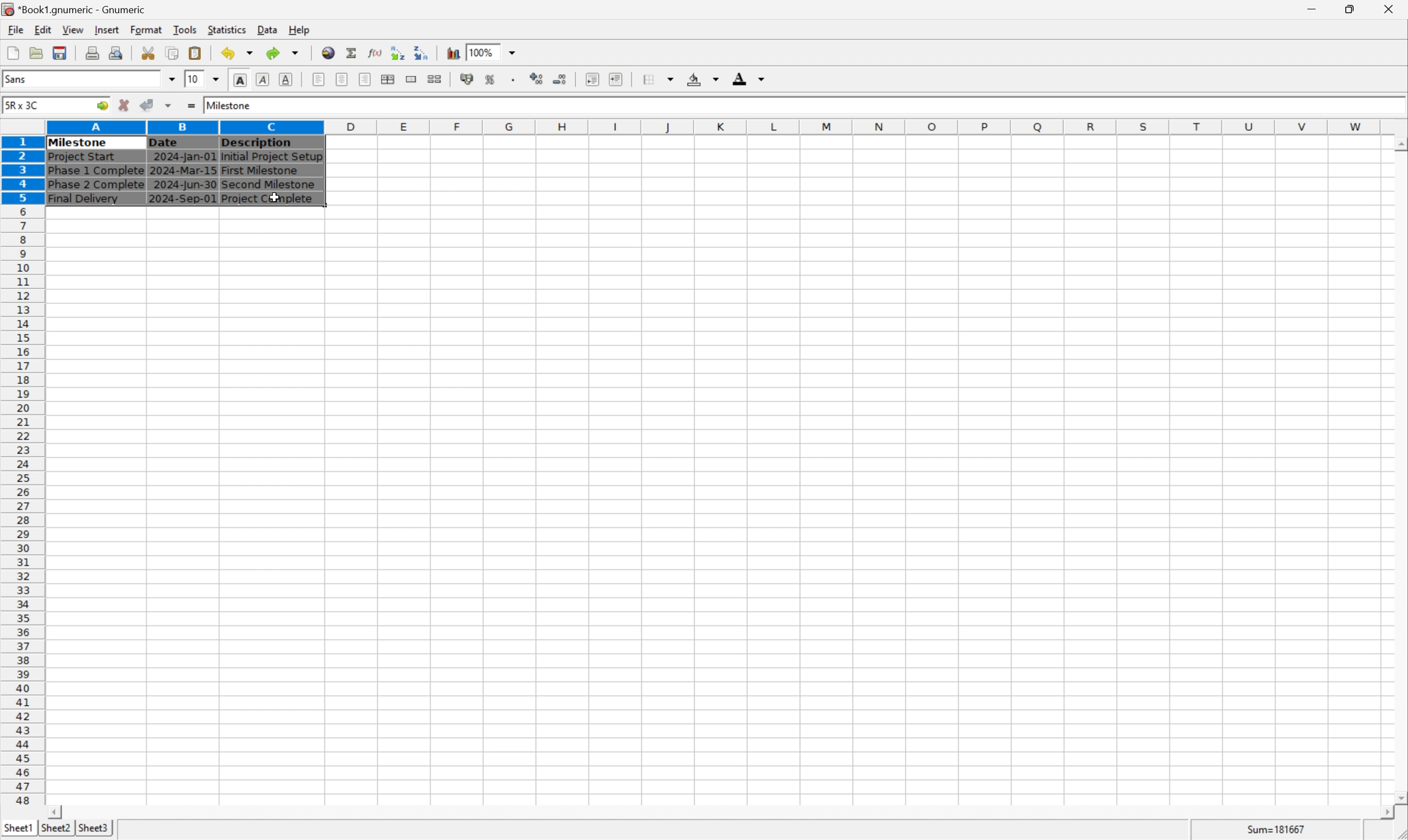 Image resolution: width=1408 pixels, height=840 pixels. Describe the element at coordinates (186, 29) in the screenshot. I see `tools` at that location.